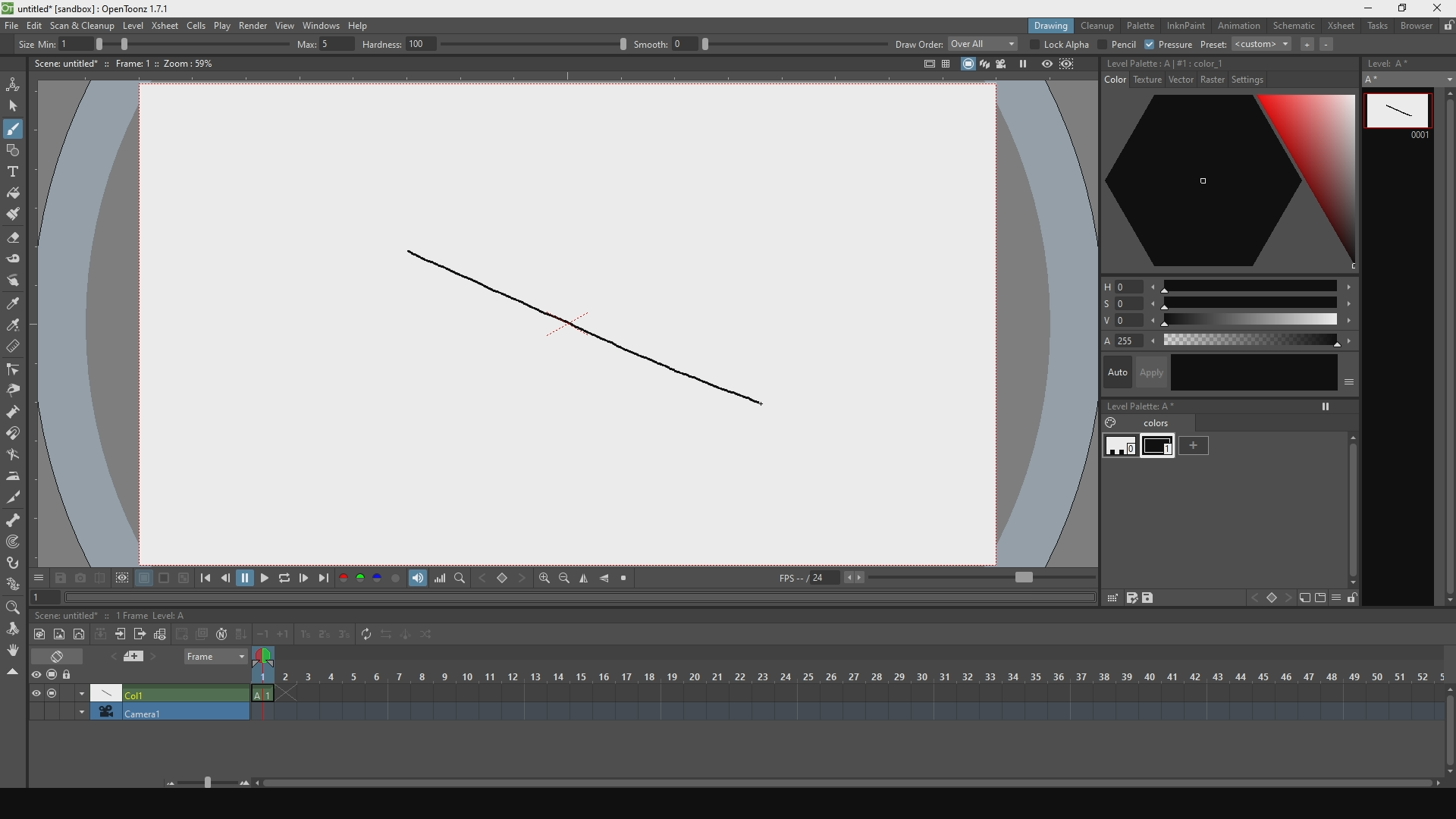 The height and width of the screenshot is (819, 1456). What do you see at coordinates (83, 24) in the screenshot?
I see `scan and cleanup` at bounding box center [83, 24].